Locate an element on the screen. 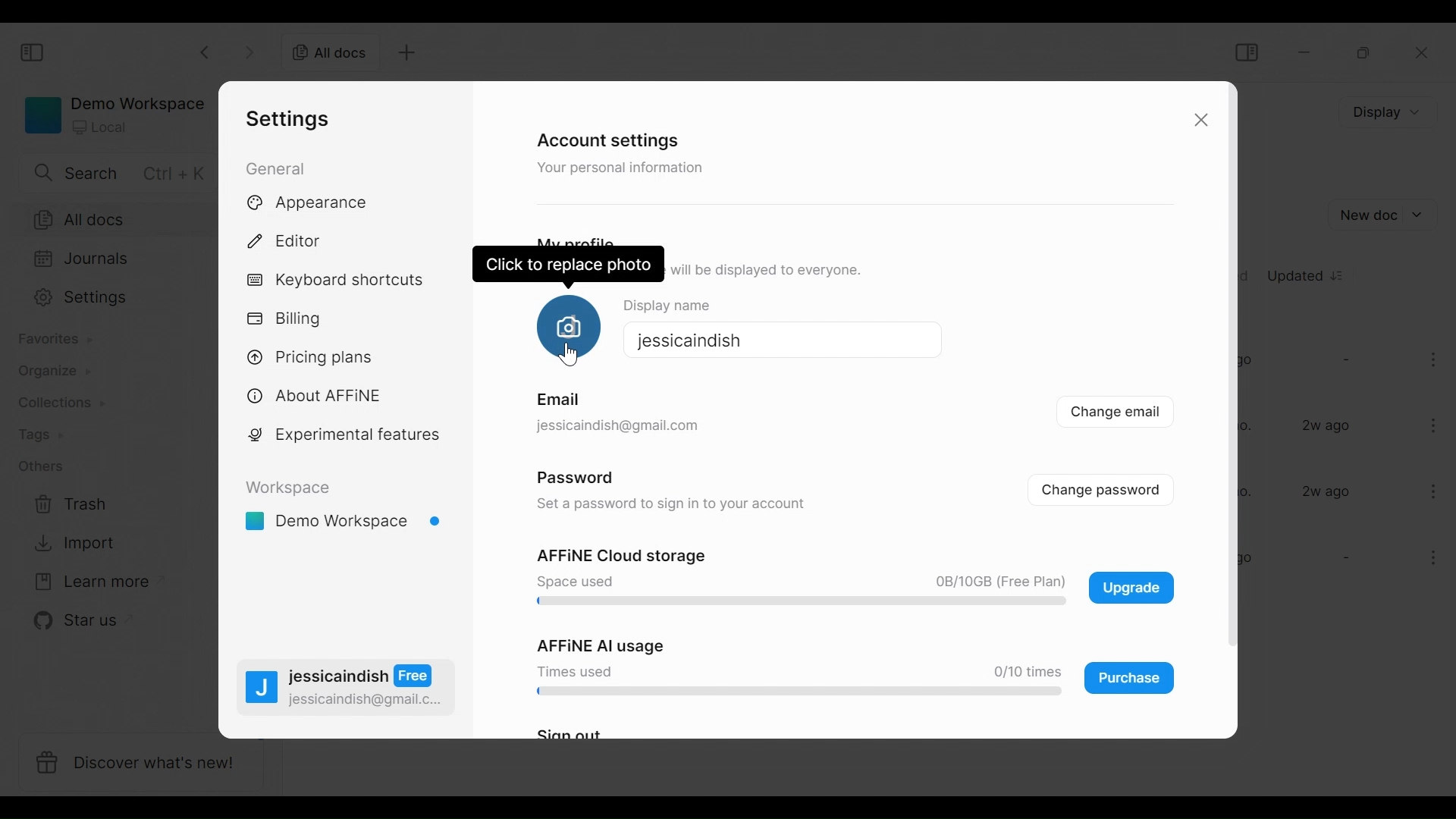 The image size is (1456, 819). Purchase is located at coordinates (1130, 678).